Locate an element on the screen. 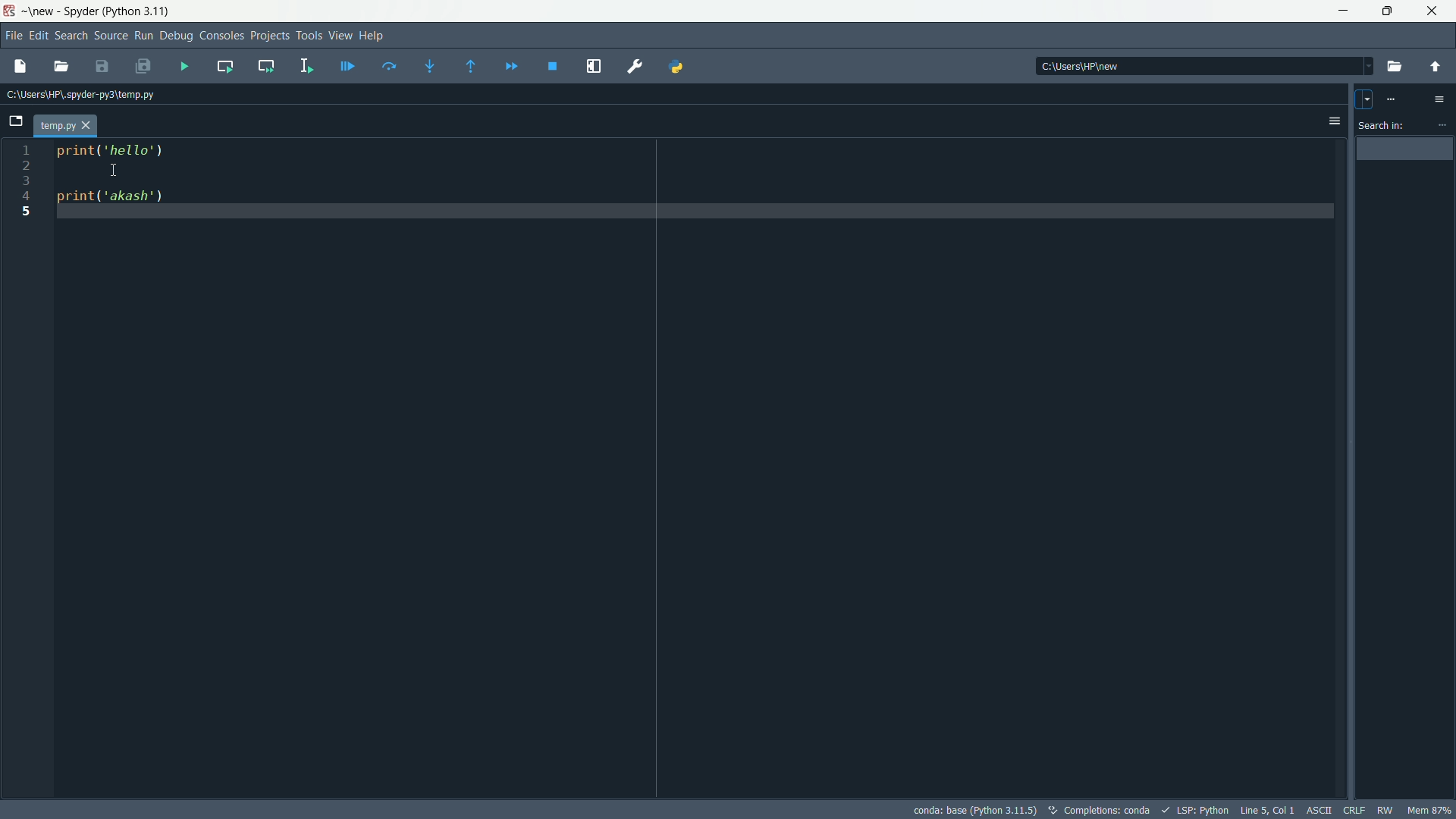 Image resolution: width=1456 pixels, height=819 pixels. minimum is located at coordinates (1344, 12).